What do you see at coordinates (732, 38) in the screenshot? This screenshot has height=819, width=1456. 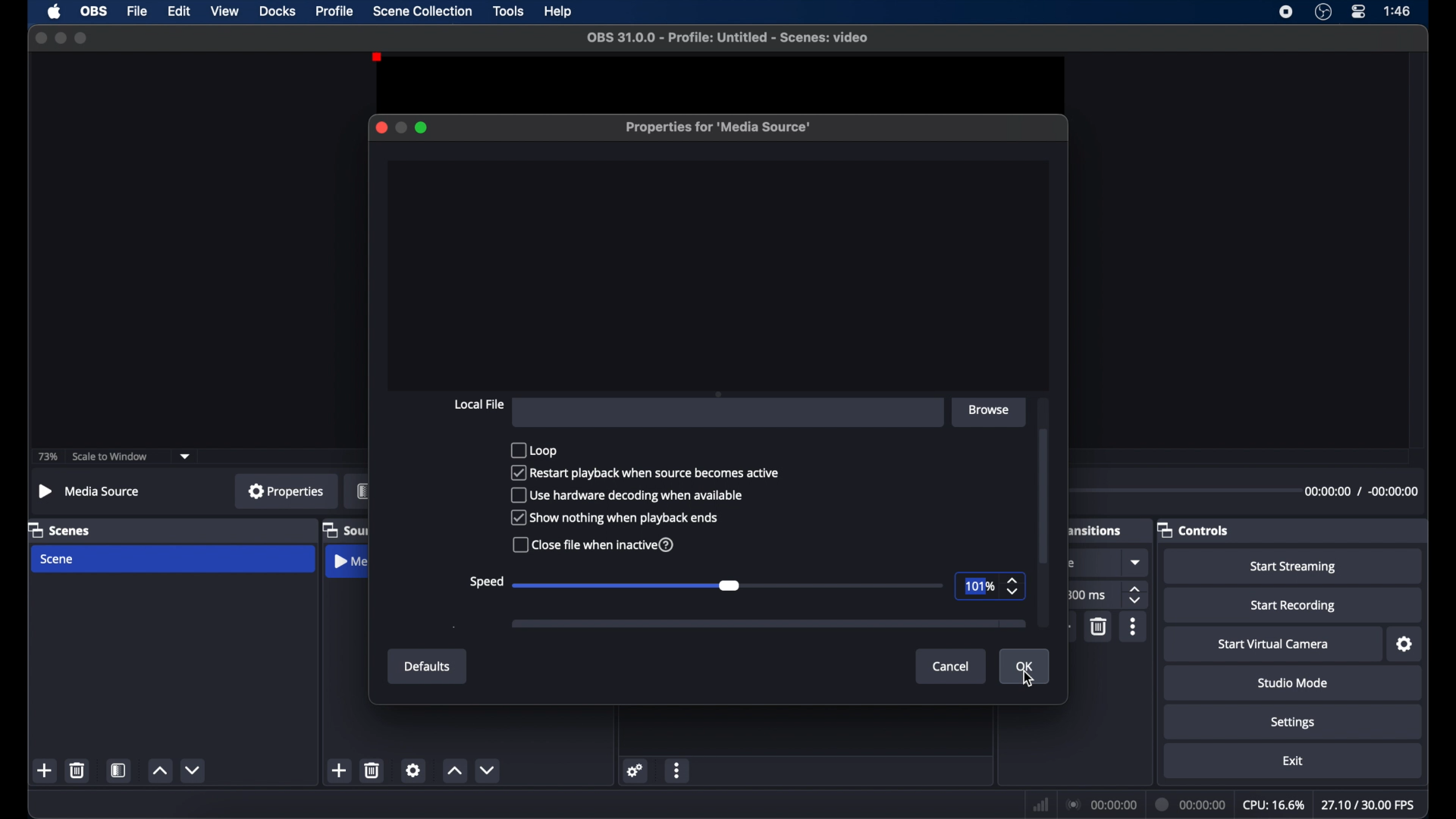 I see `file name` at bounding box center [732, 38].